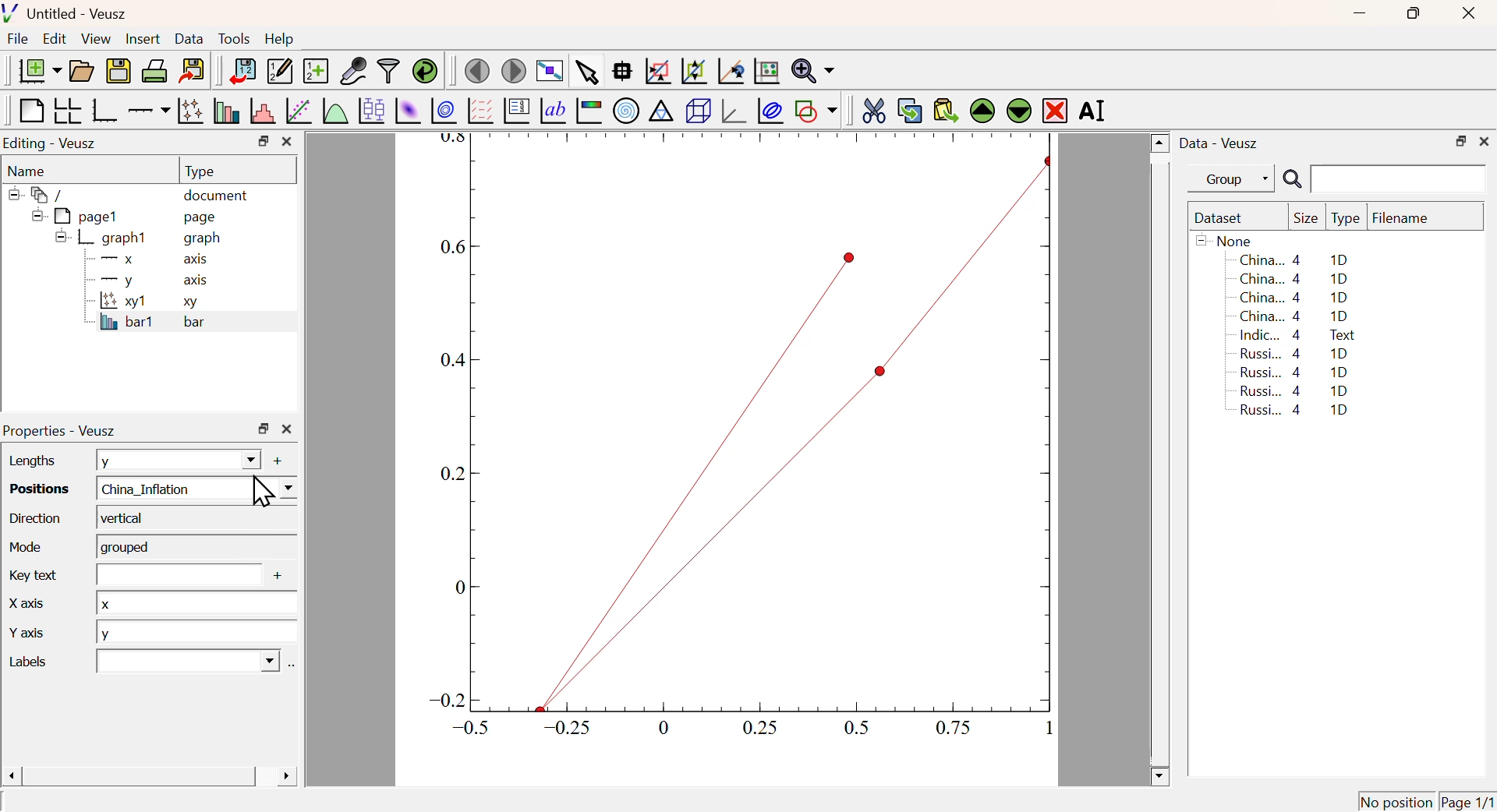 The height and width of the screenshot is (812, 1497). Describe the element at coordinates (1236, 180) in the screenshot. I see `Group` at that location.